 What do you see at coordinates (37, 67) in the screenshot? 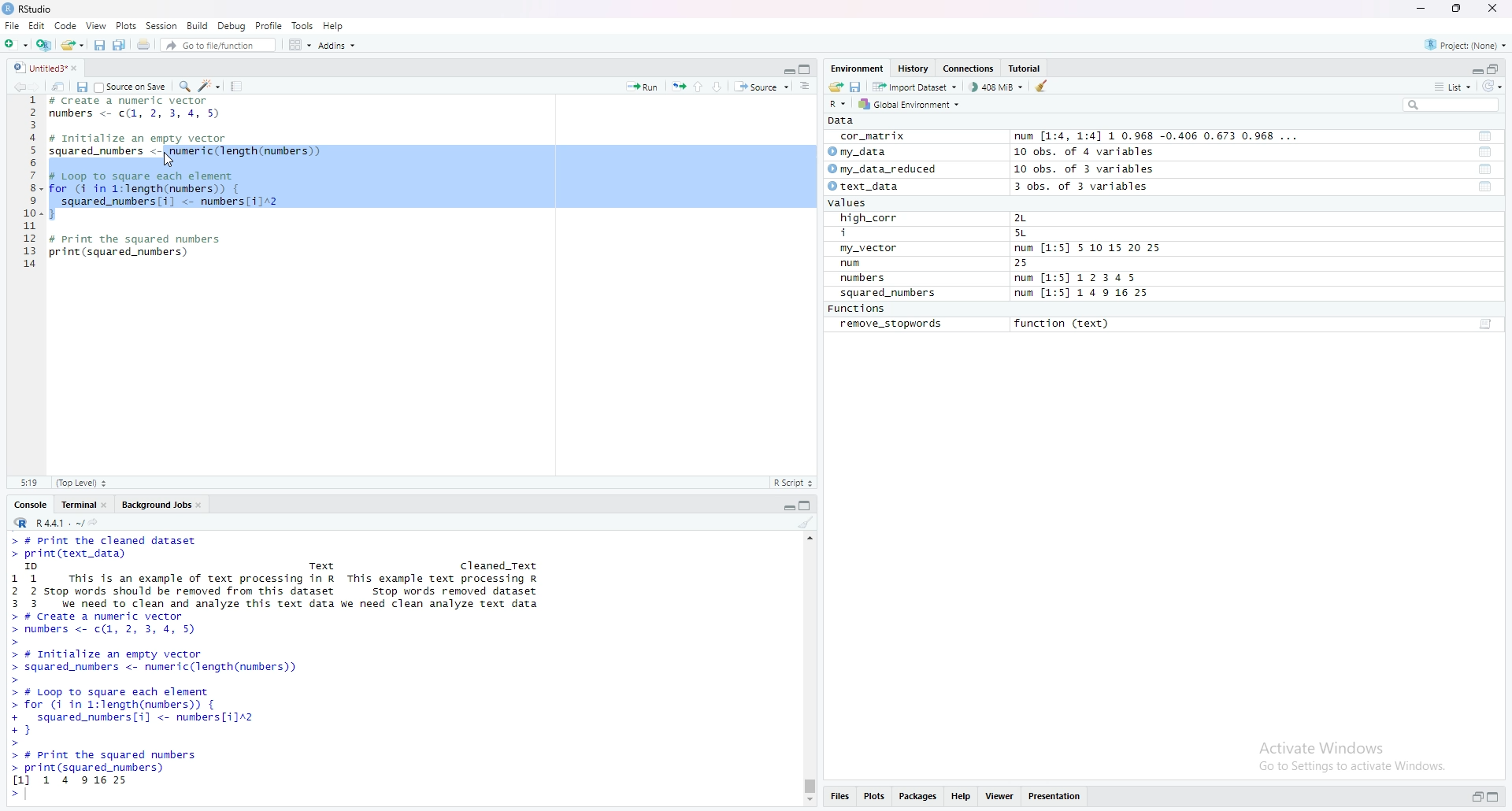
I see `unititled3*` at bounding box center [37, 67].